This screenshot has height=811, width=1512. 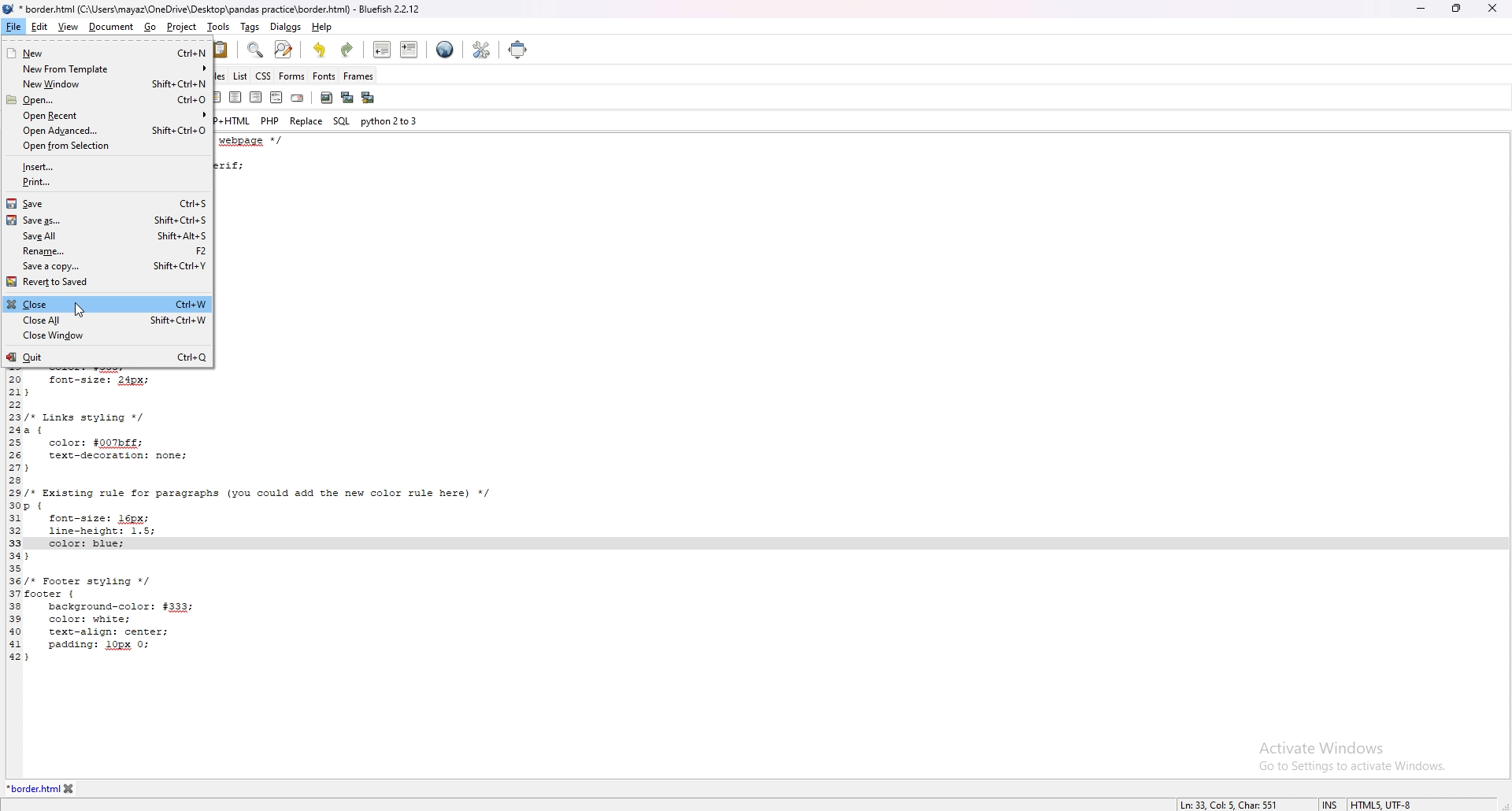 What do you see at coordinates (183, 27) in the screenshot?
I see `project` at bounding box center [183, 27].